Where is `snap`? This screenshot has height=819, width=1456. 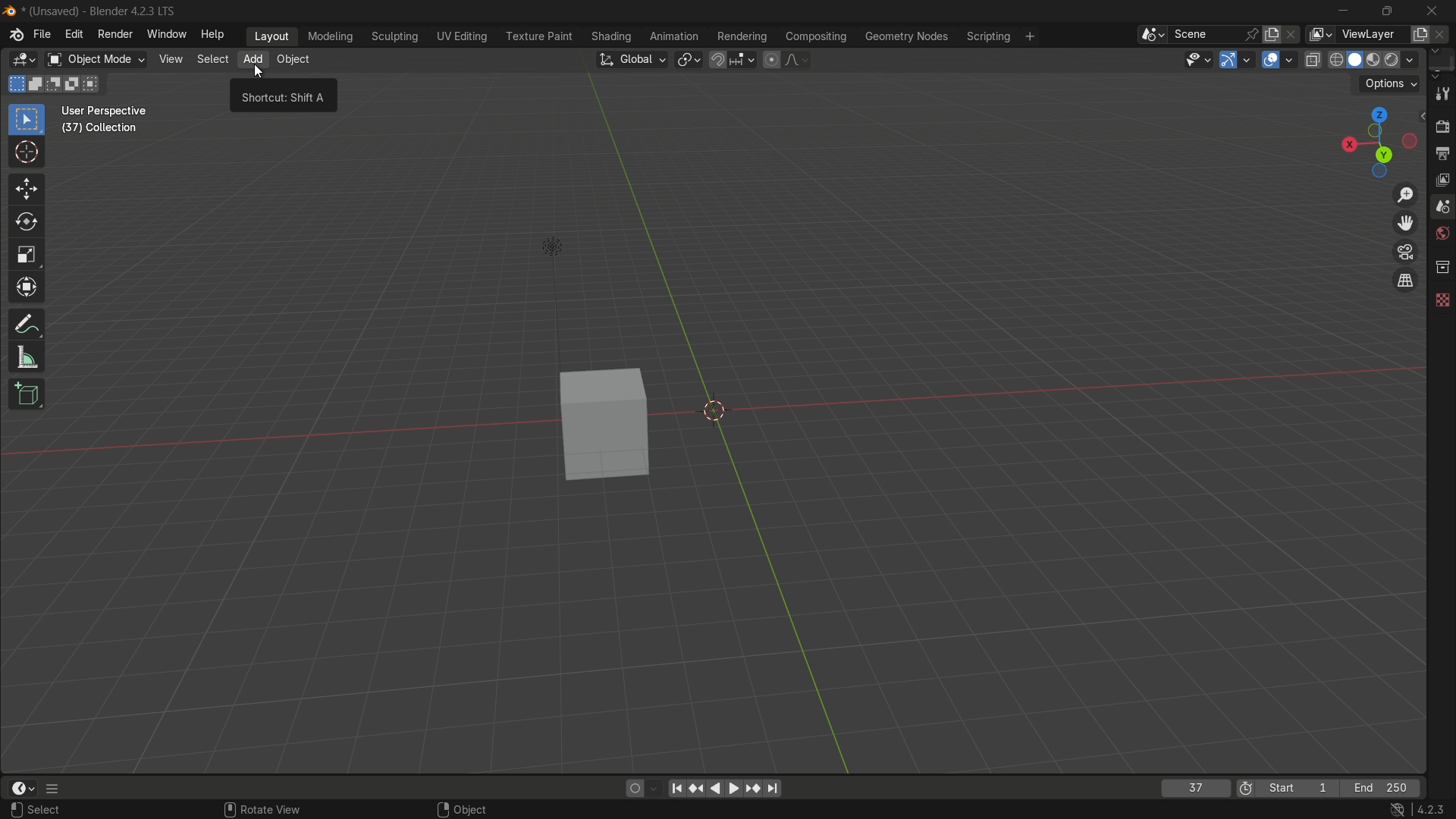 snap is located at coordinates (734, 59).